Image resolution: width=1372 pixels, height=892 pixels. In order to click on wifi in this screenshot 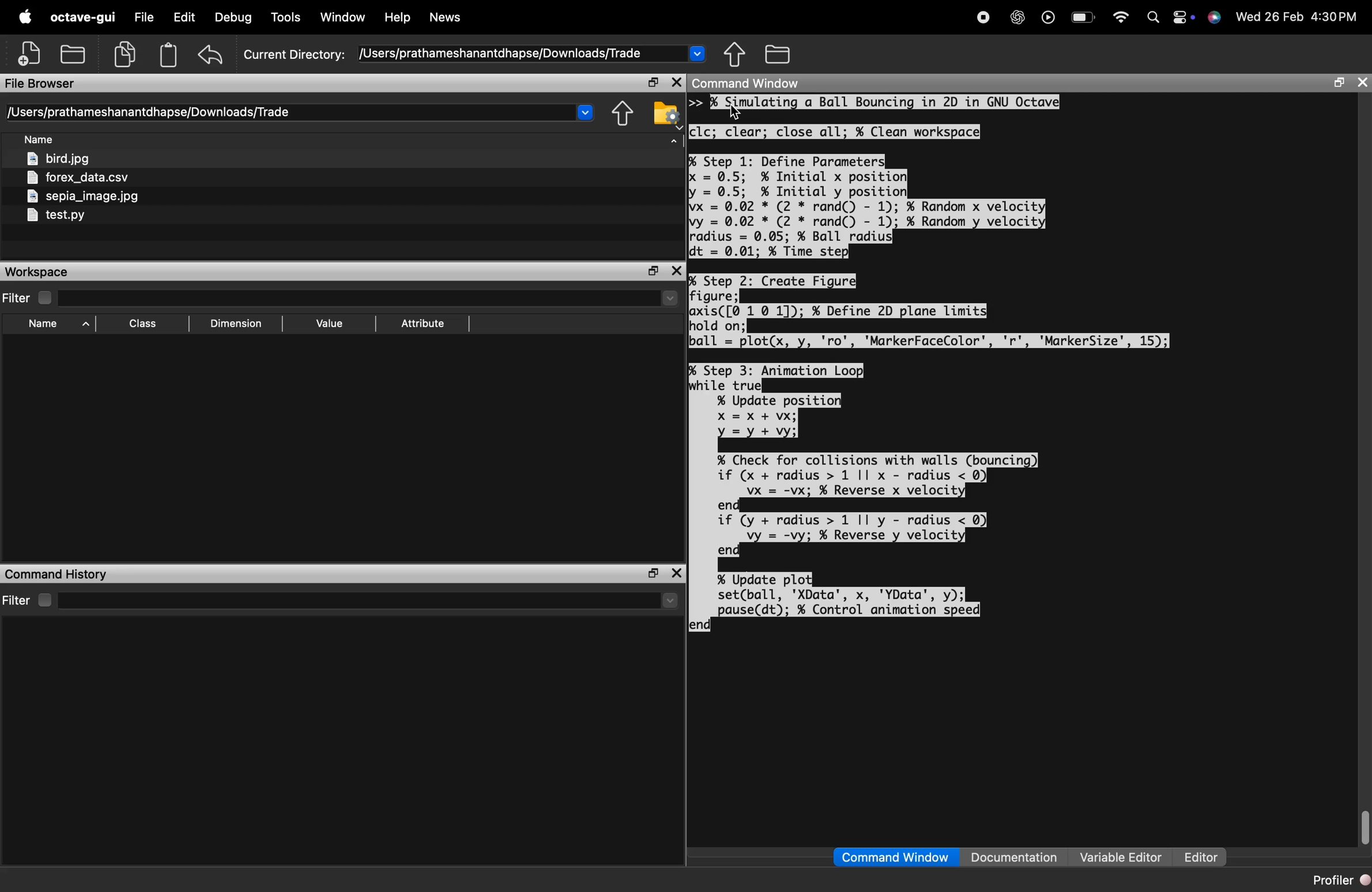, I will do `click(1121, 20)`.